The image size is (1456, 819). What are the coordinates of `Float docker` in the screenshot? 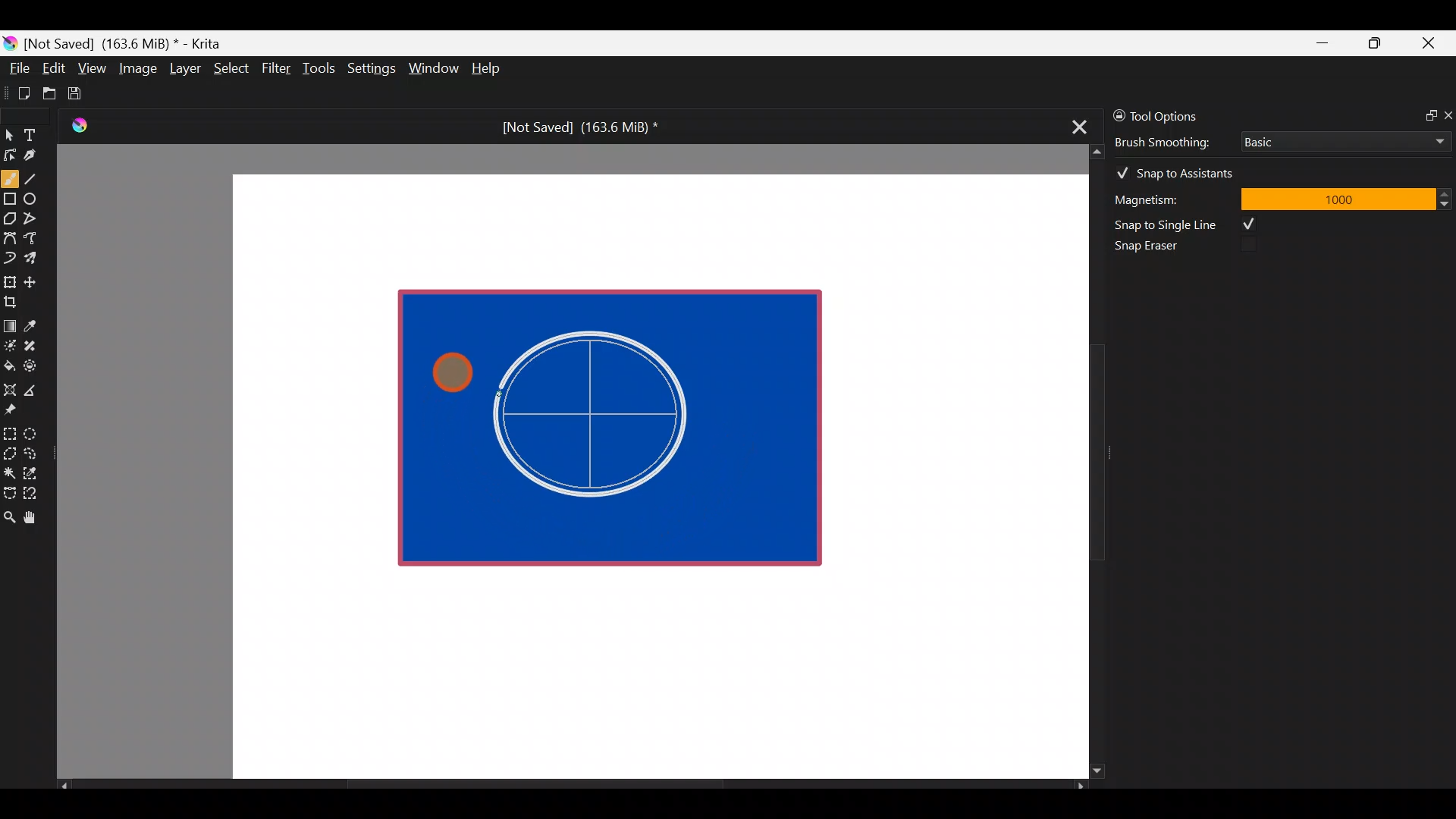 It's located at (1424, 114).